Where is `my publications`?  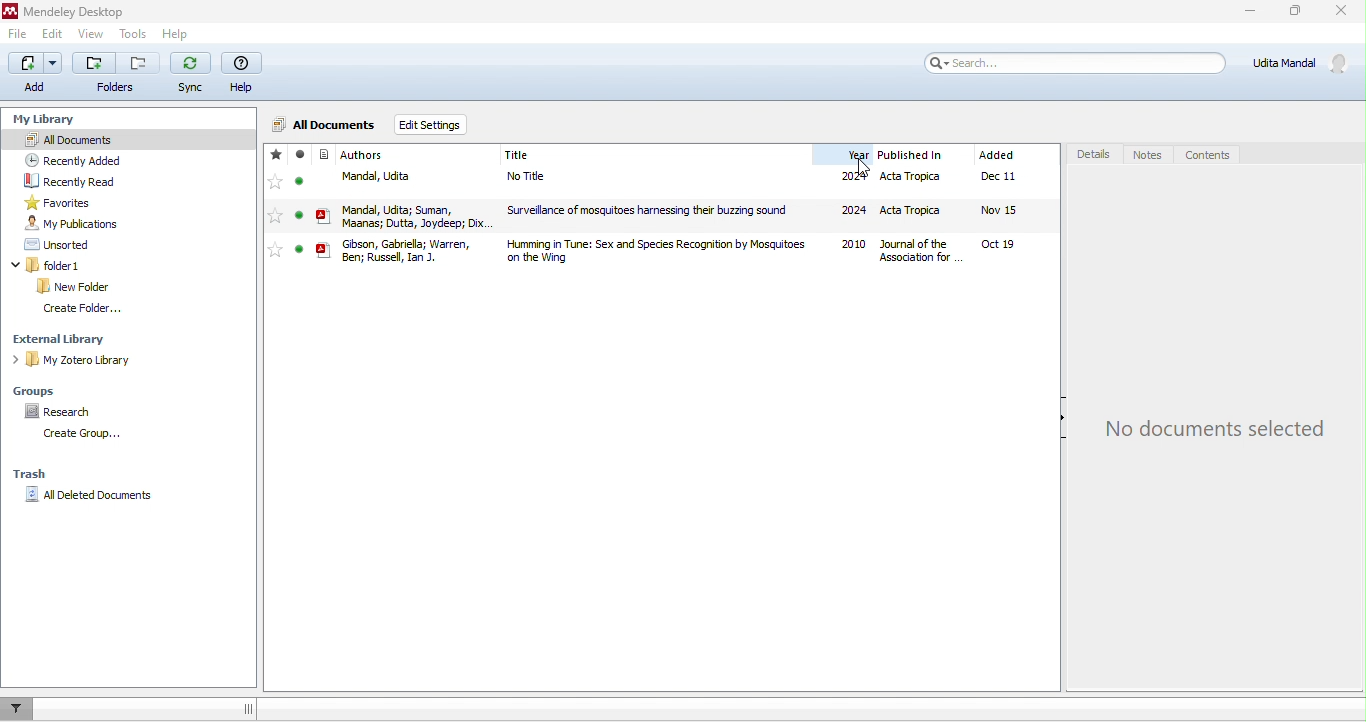 my publications is located at coordinates (67, 226).